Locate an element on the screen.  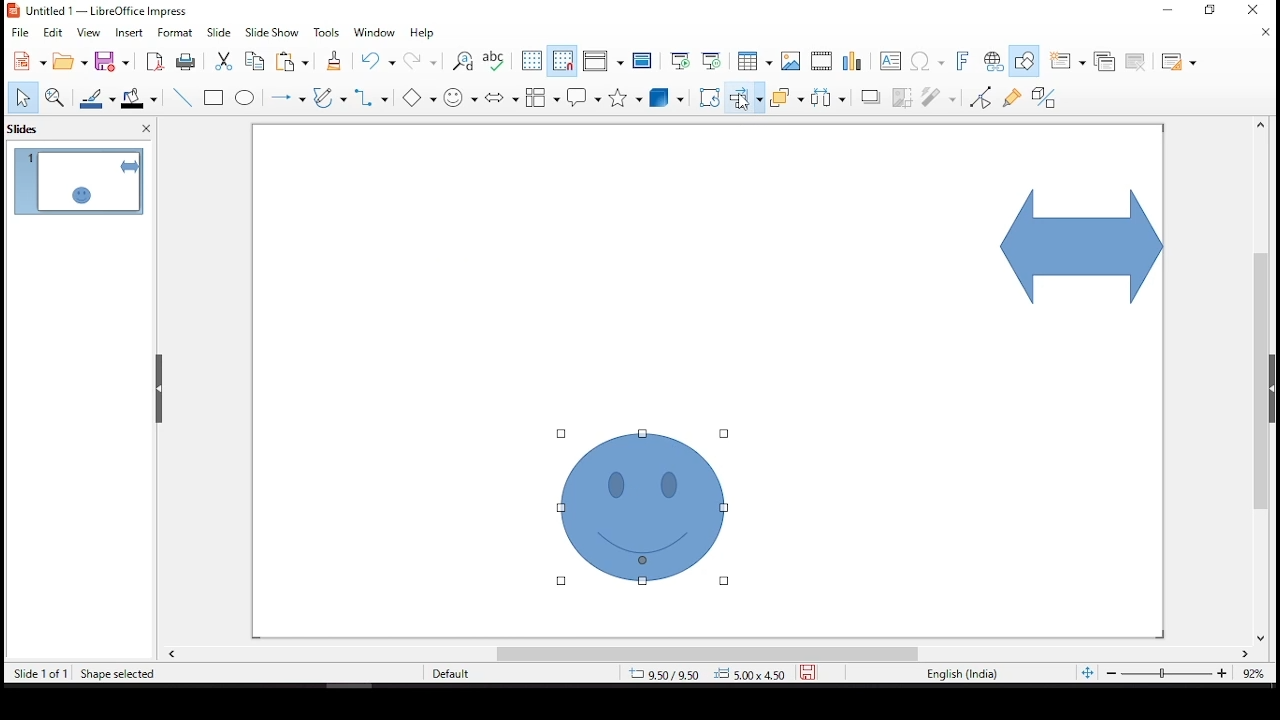
rotate is located at coordinates (711, 97).